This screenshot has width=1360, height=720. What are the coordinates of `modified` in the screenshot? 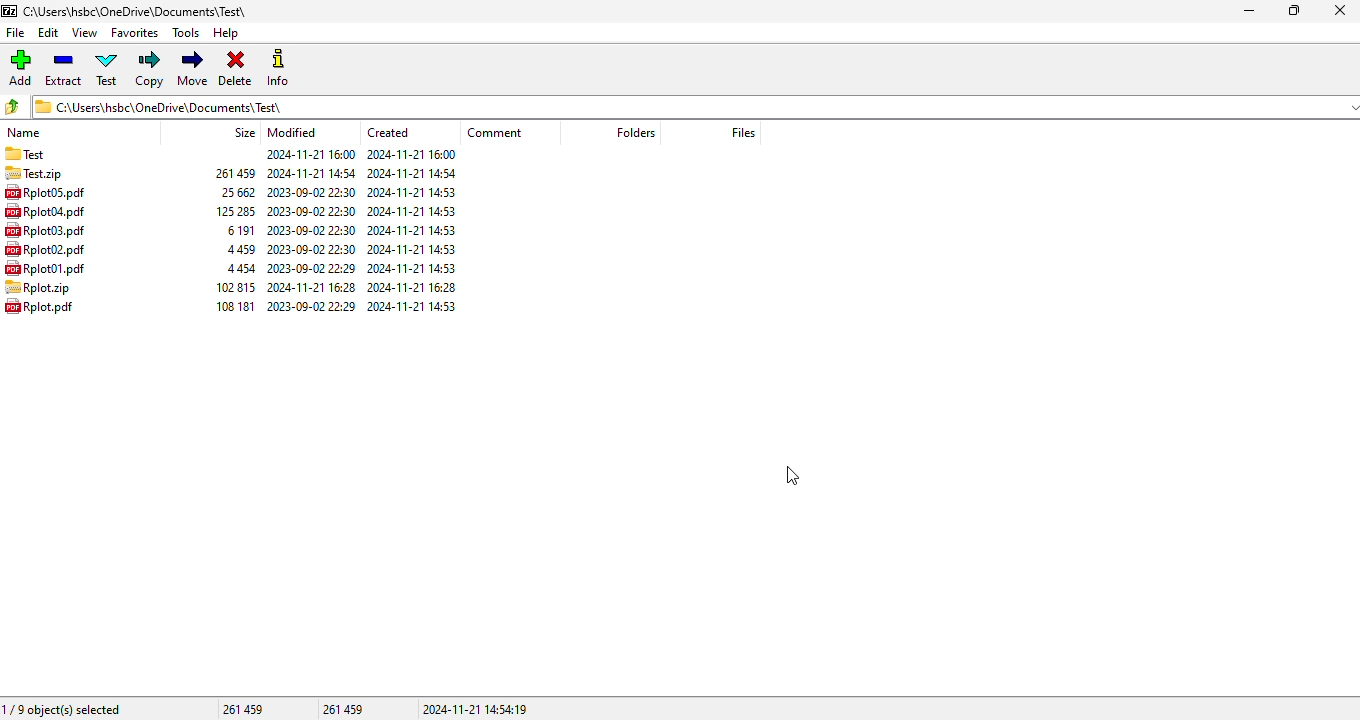 It's located at (293, 133).